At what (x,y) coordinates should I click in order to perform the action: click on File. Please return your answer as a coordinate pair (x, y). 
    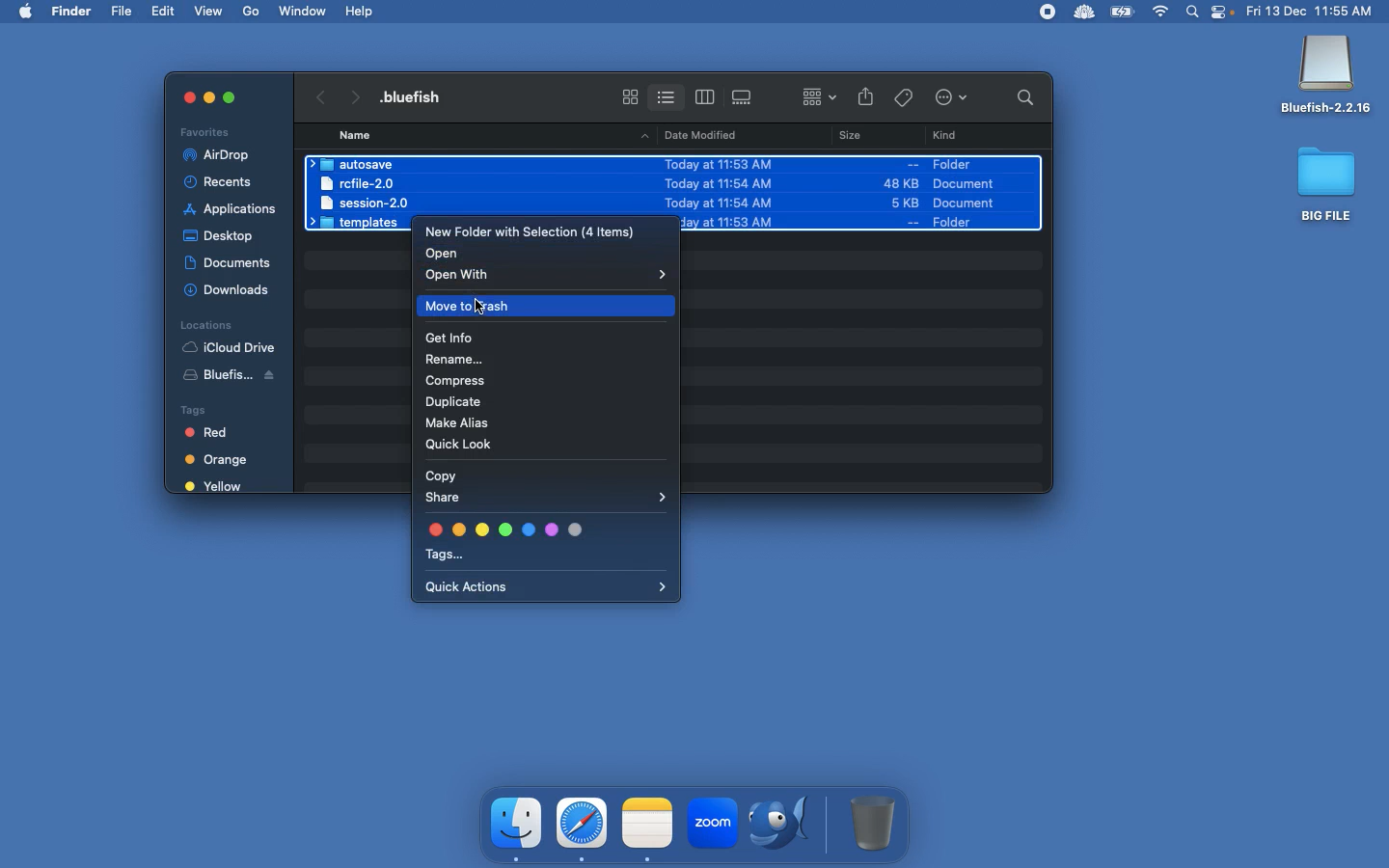
    Looking at the image, I should click on (123, 12).